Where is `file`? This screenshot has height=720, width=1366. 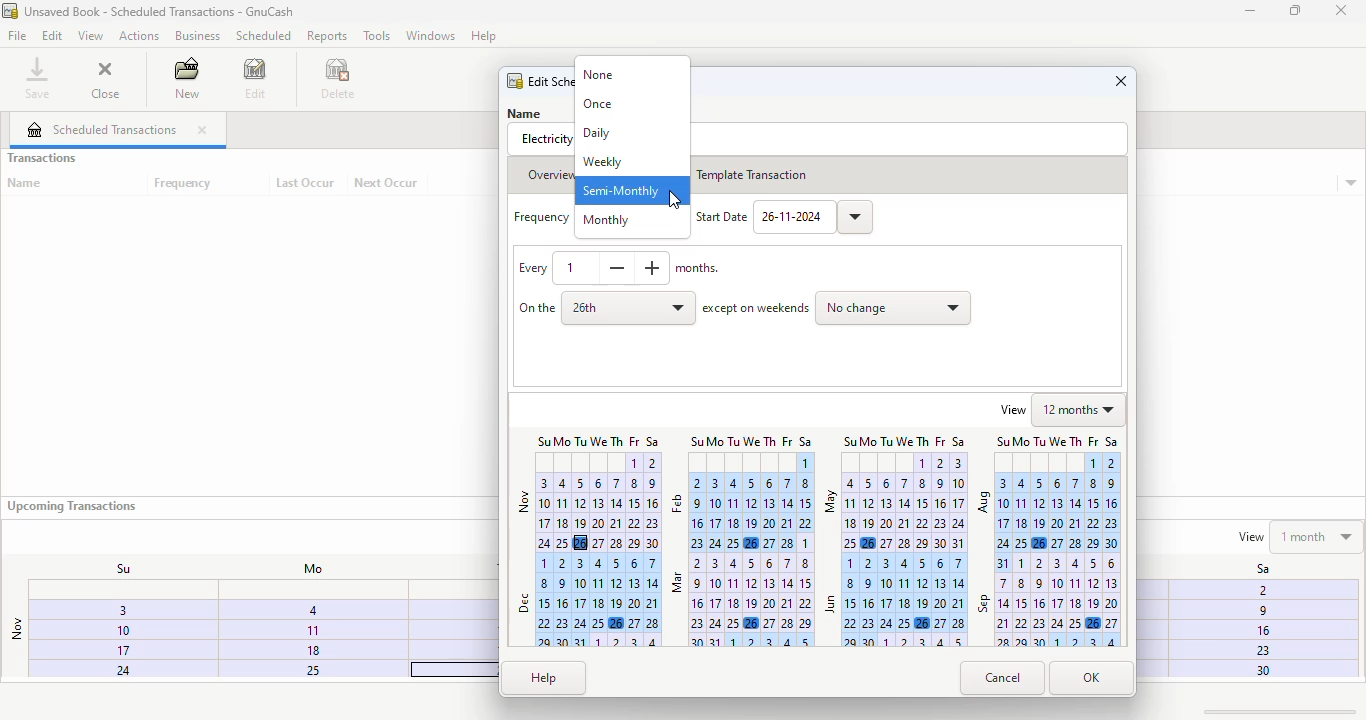
file is located at coordinates (17, 35).